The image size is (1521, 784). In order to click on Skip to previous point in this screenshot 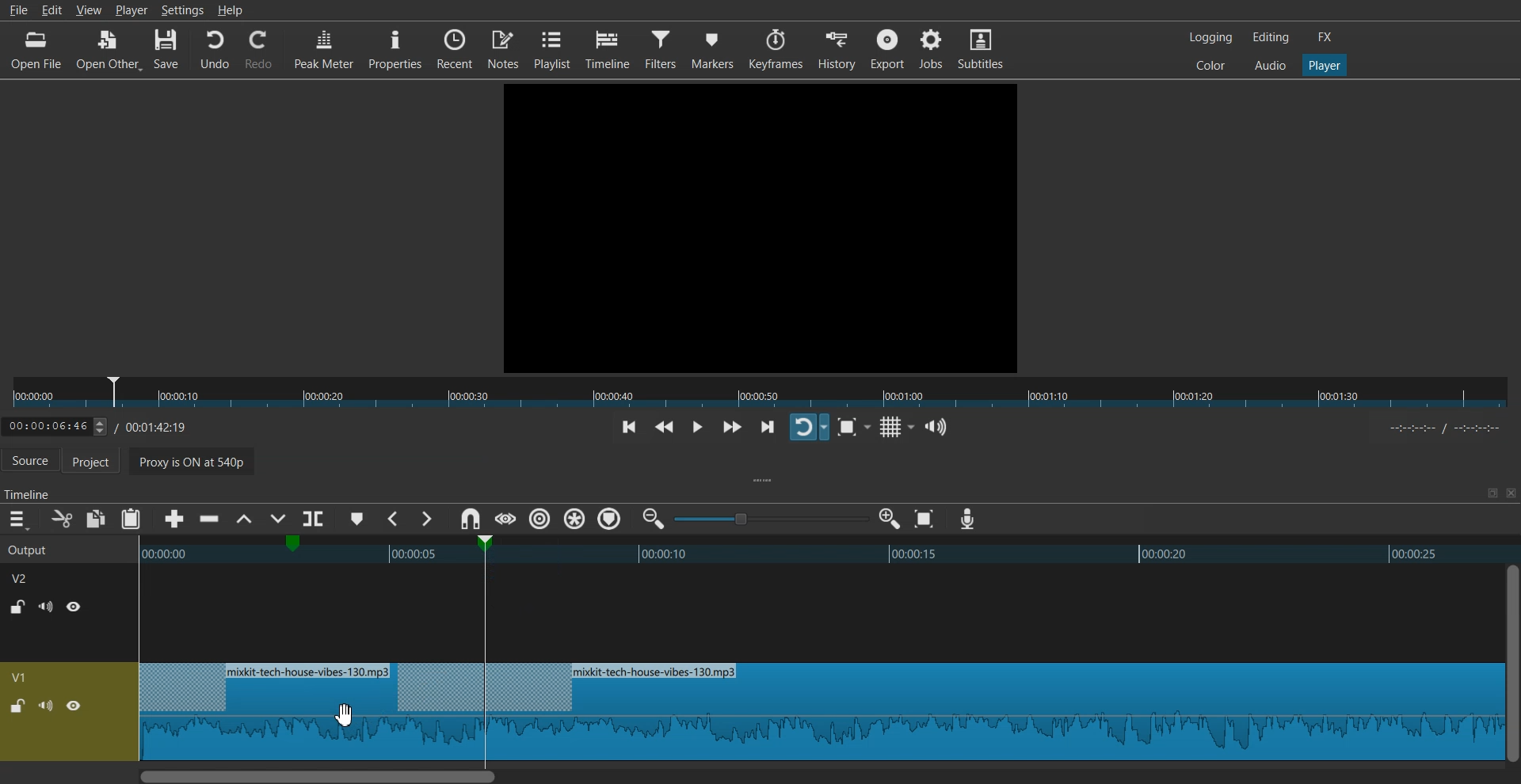, I will do `click(629, 428)`.